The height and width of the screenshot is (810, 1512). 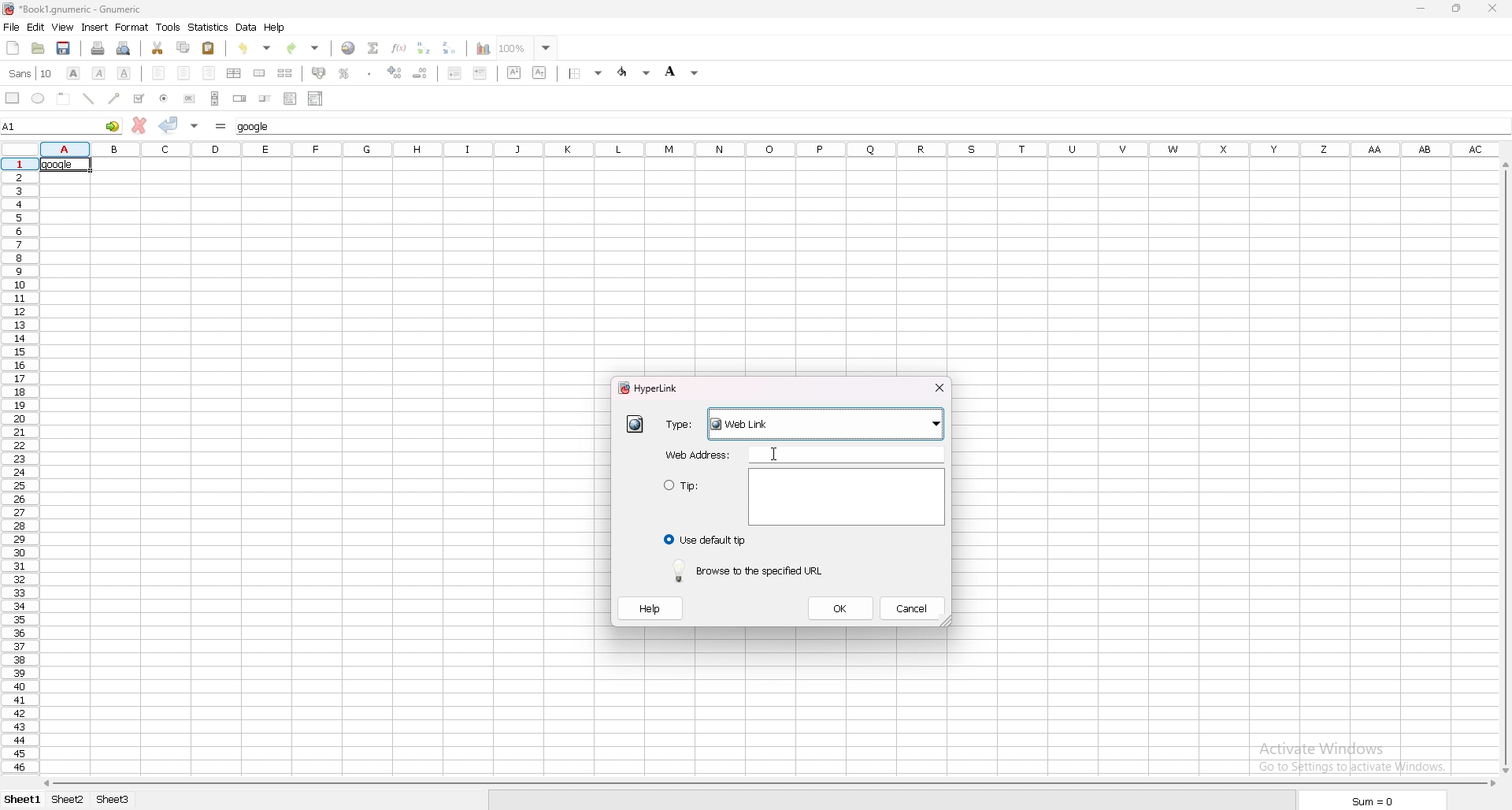 What do you see at coordinates (775, 150) in the screenshot?
I see `selected cell column` at bounding box center [775, 150].